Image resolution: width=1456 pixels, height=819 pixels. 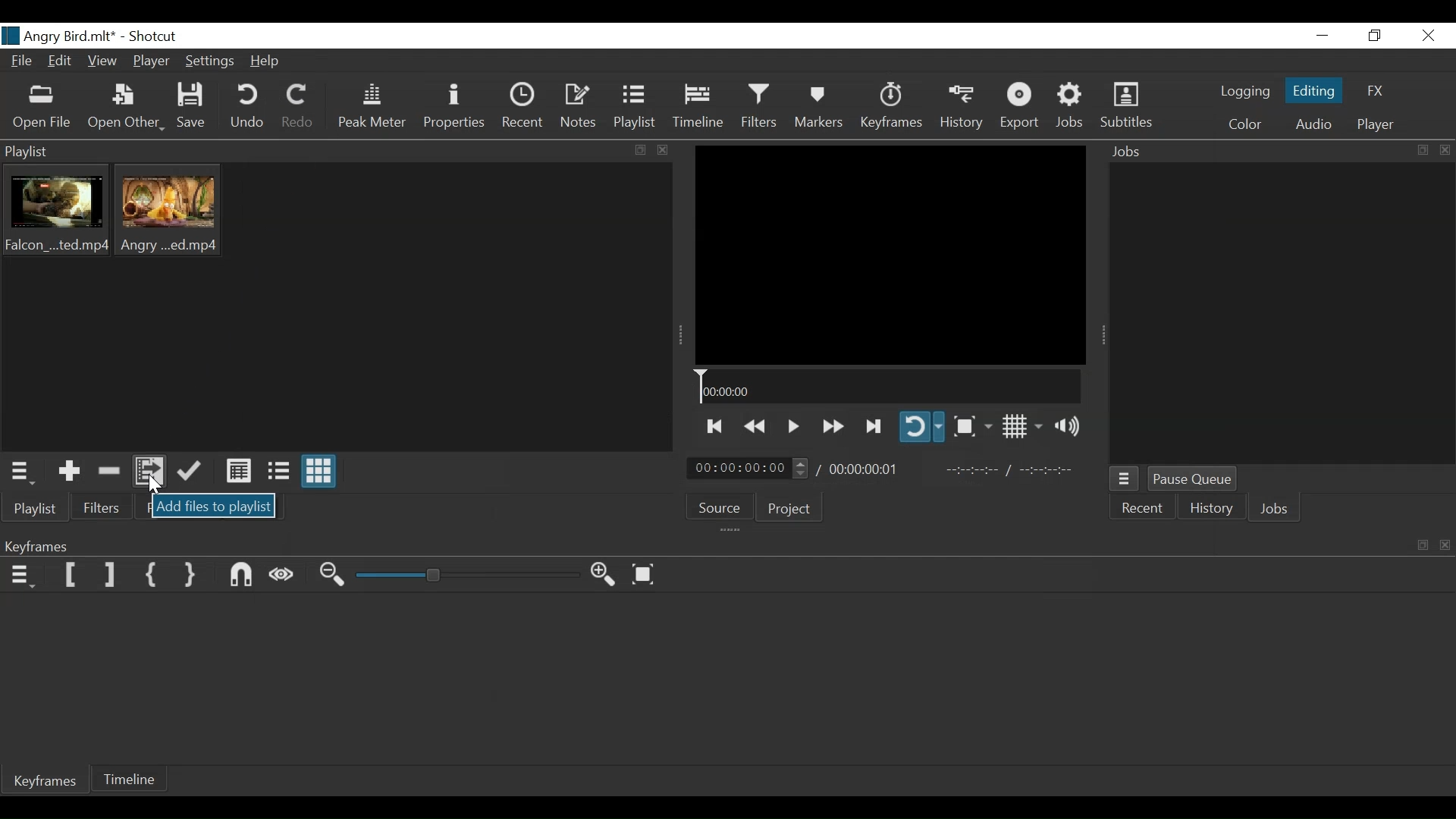 What do you see at coordinates (300, 108) in the screenshot?
I see `Redo` at bounding box center [300, 108].